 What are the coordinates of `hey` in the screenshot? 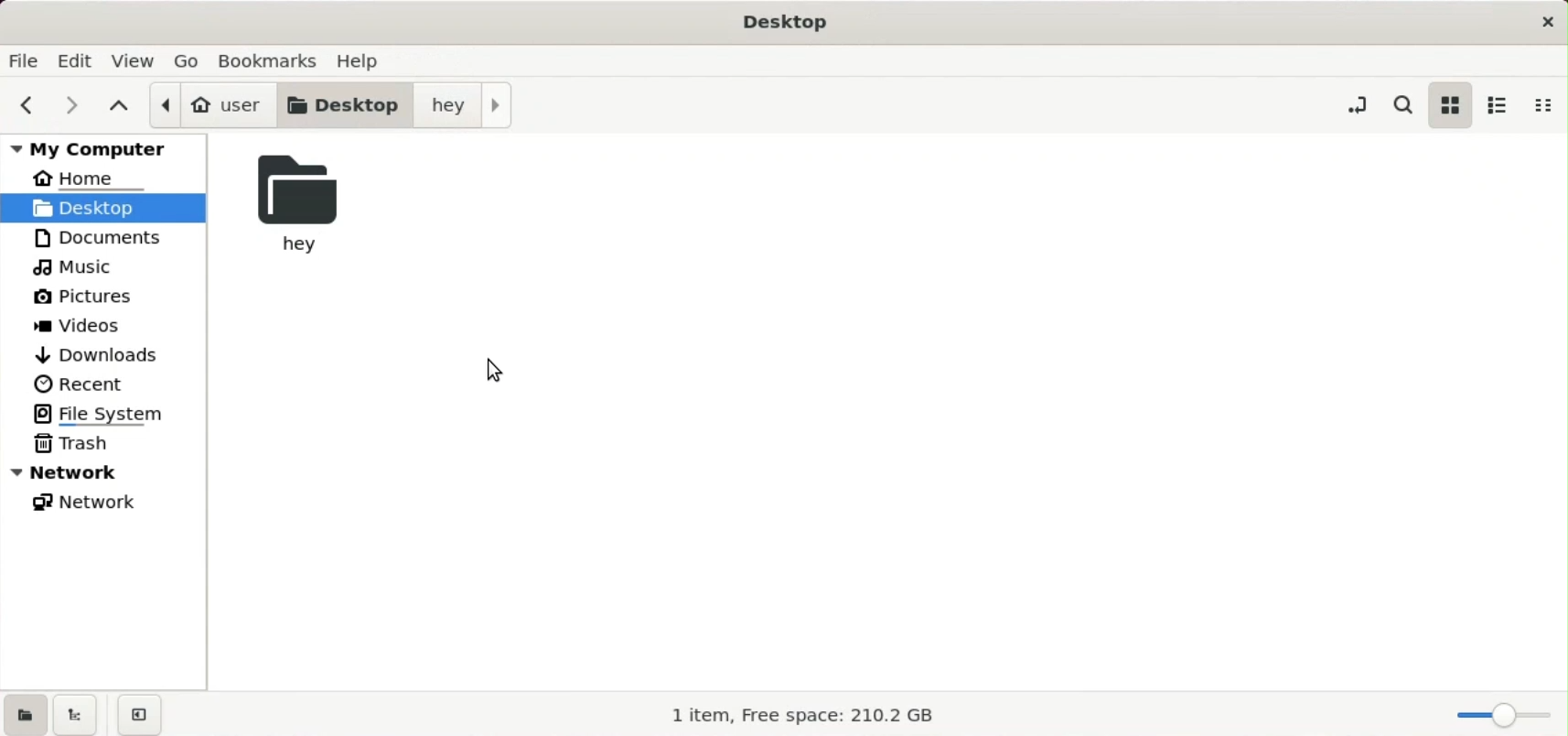 It's located at (467, 105).